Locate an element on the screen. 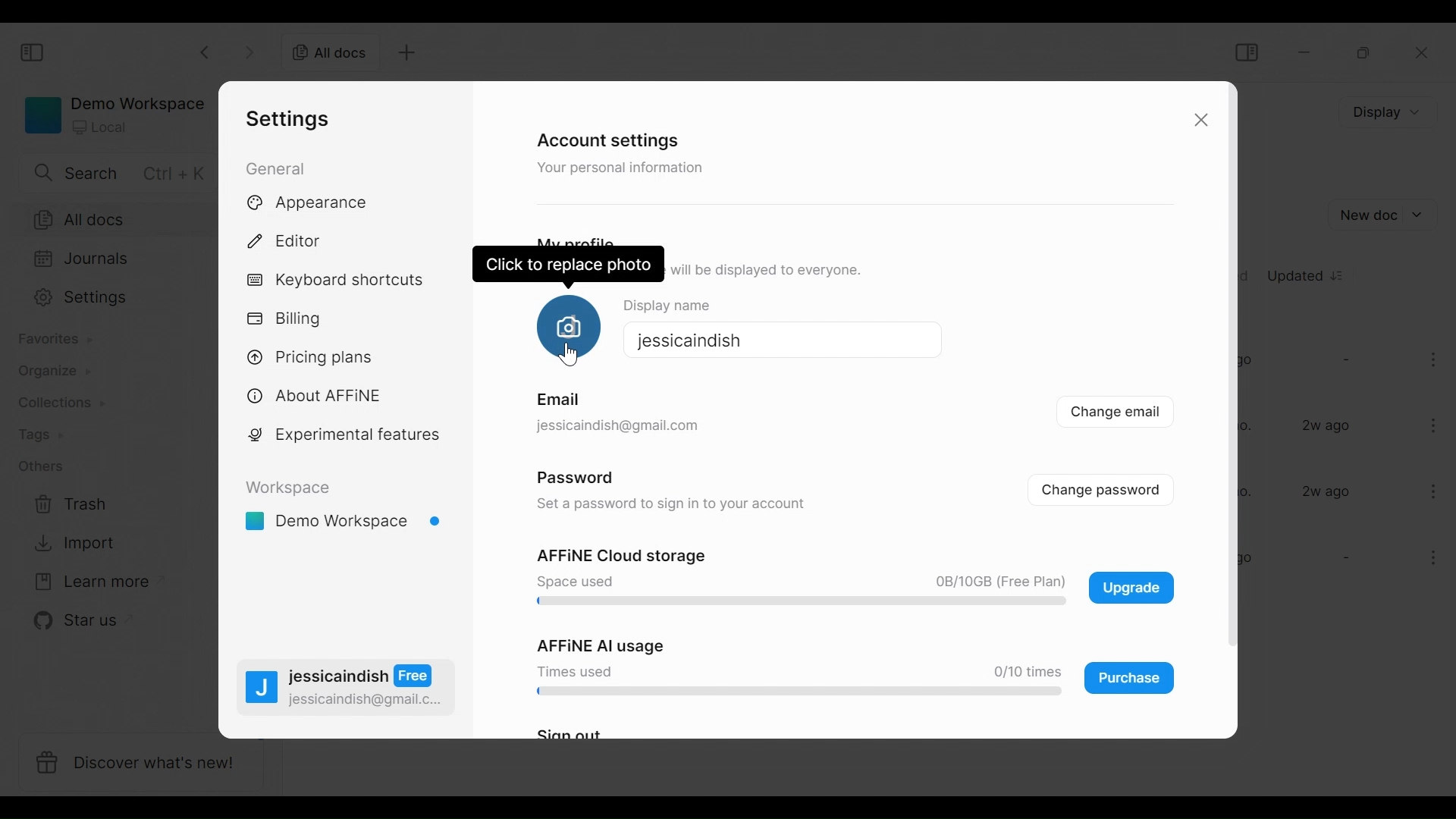 Image resolution: width=1456 pixels, height=819 pixels. Collections is located at coordinates (58, 402).